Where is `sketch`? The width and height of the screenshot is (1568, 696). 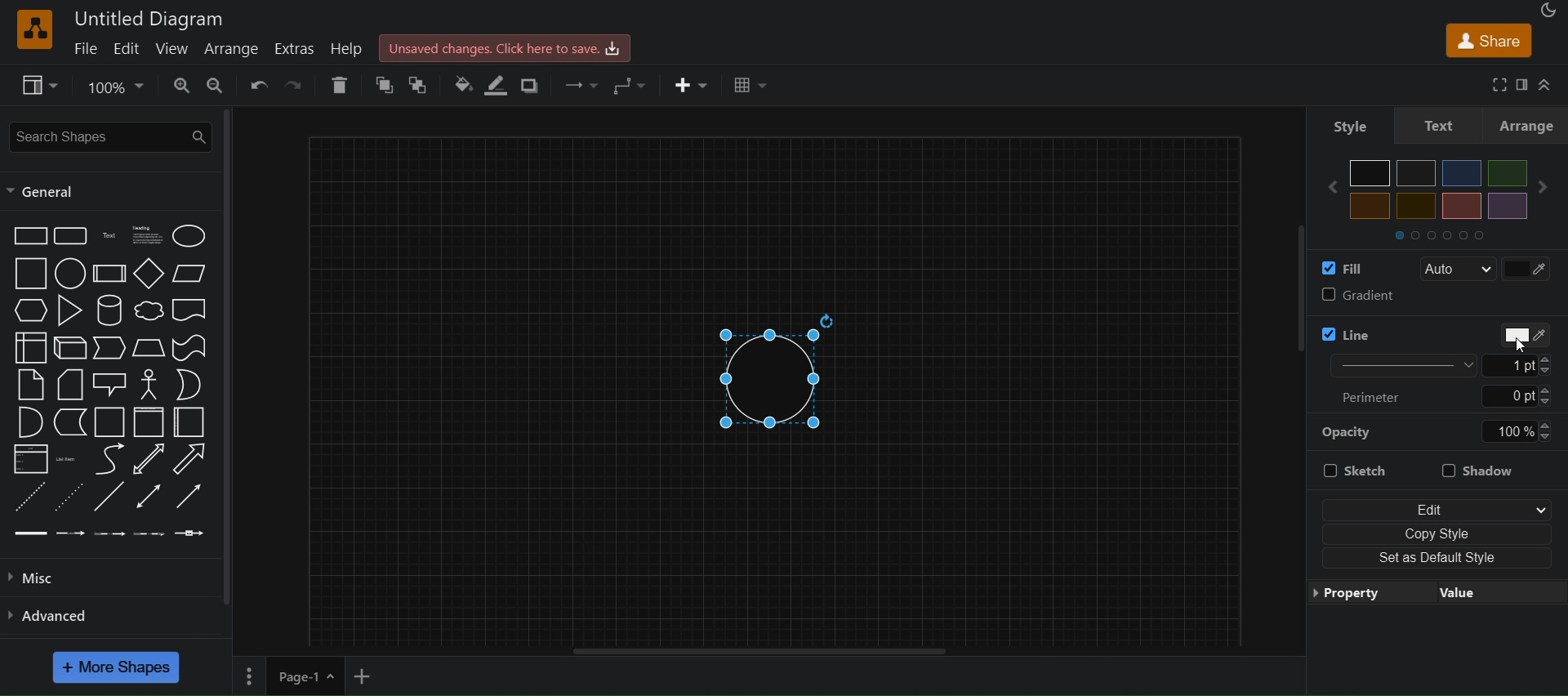
sketch is located at coordinates (1354, 472).